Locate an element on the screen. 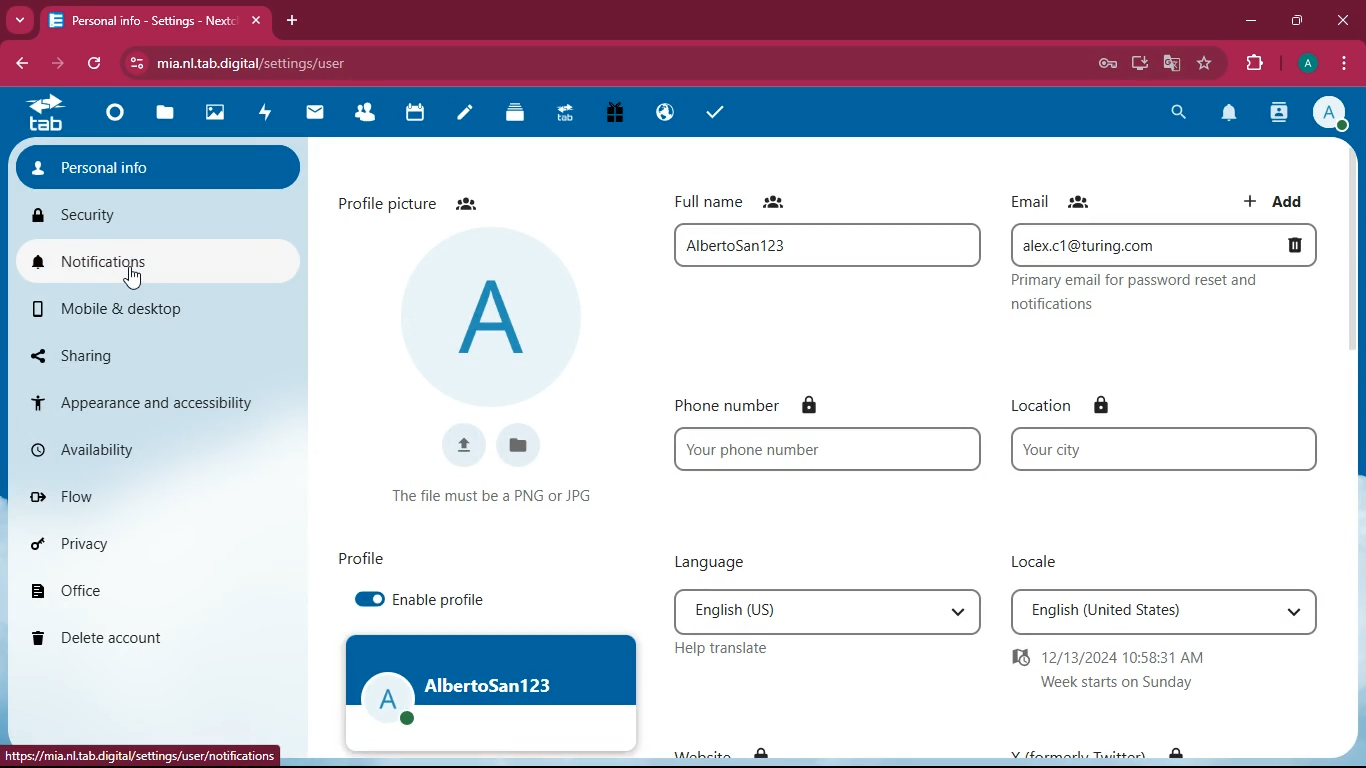 The height and width of the screenshot is (768, 1366). office is located at coordinates (149, 592).